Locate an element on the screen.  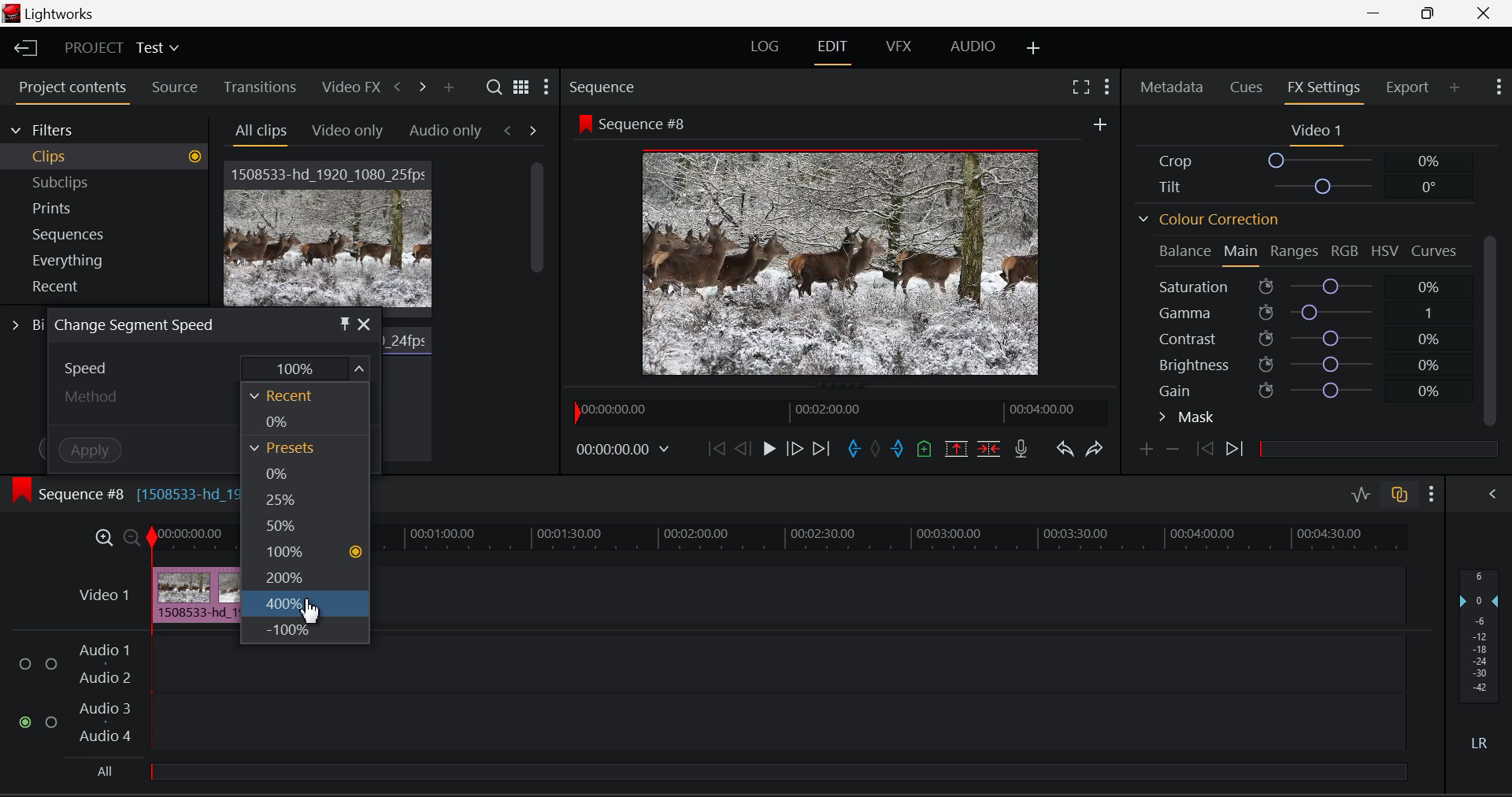
Undo is located at coordinates (1063, 451).